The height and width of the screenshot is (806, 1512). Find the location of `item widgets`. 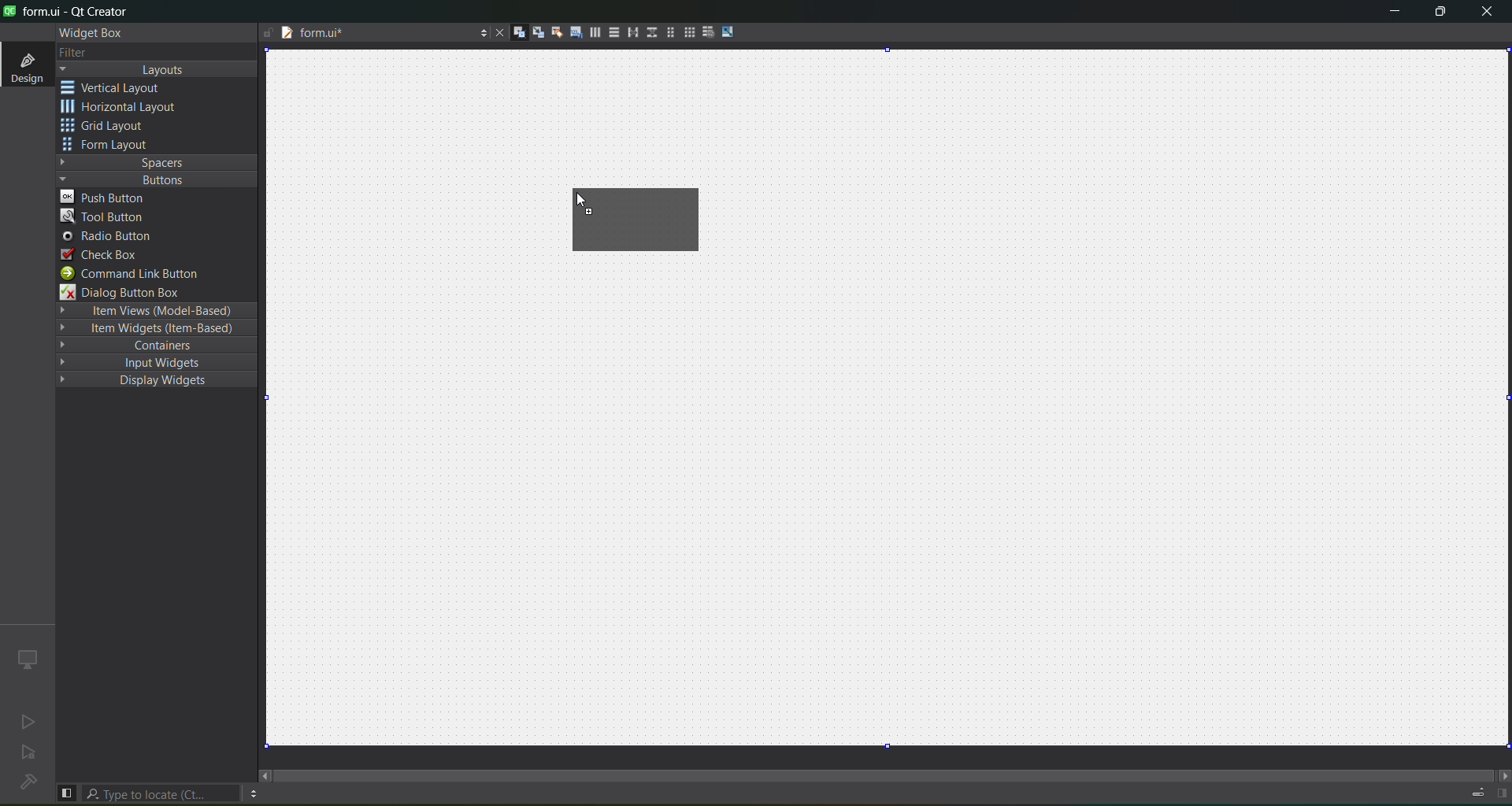

item widgets is located at coordinates (154, 331).